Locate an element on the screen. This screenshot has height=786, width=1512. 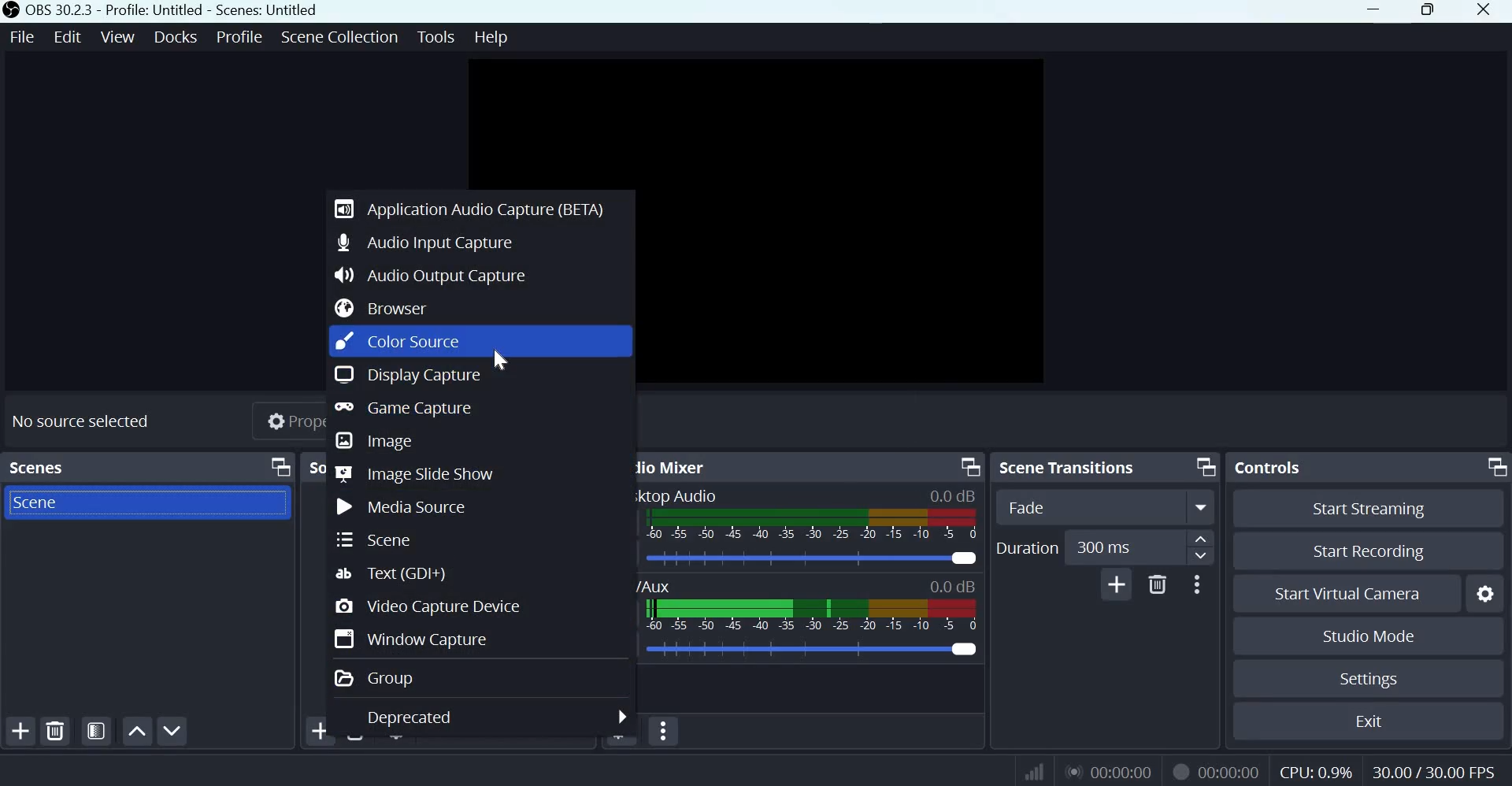
Settings is located at coordinates (1367, 679).